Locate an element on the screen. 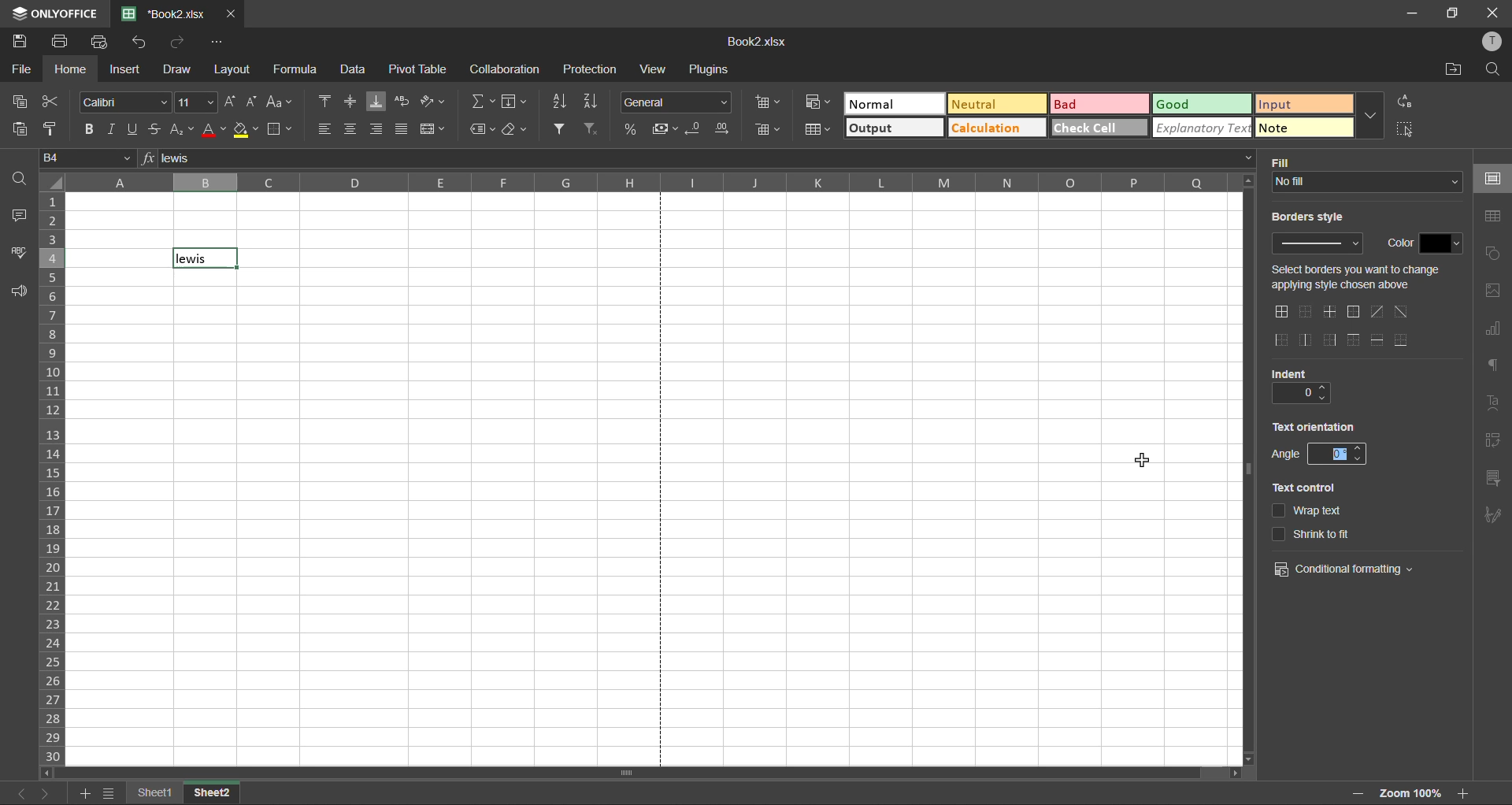  data is located at coordinates (353, 69).